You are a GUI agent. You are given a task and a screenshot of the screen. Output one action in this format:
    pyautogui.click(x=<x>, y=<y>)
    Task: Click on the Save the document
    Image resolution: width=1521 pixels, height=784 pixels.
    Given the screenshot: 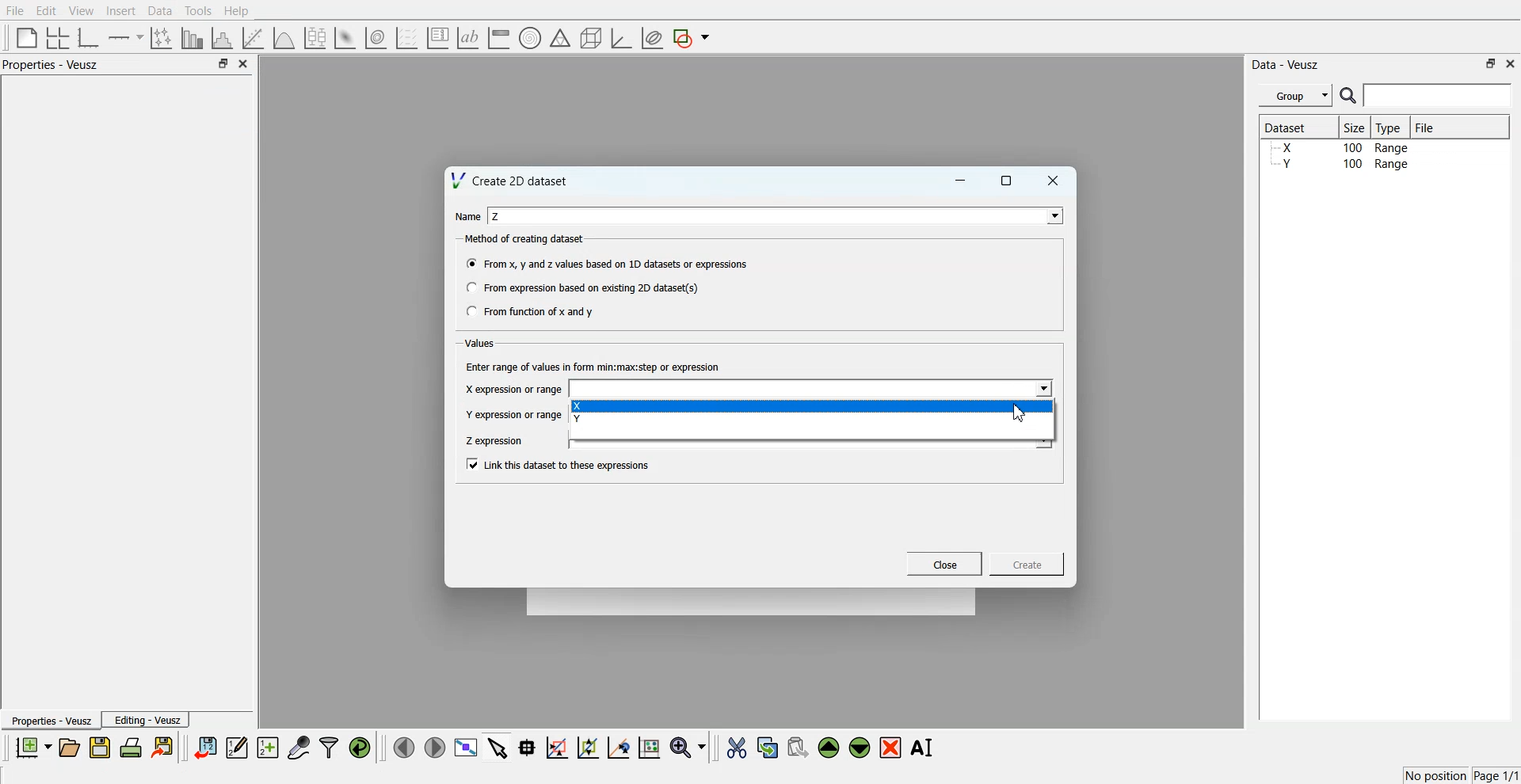 What is the action you would take?
    pyautogui.click(x=100, y=747)
    